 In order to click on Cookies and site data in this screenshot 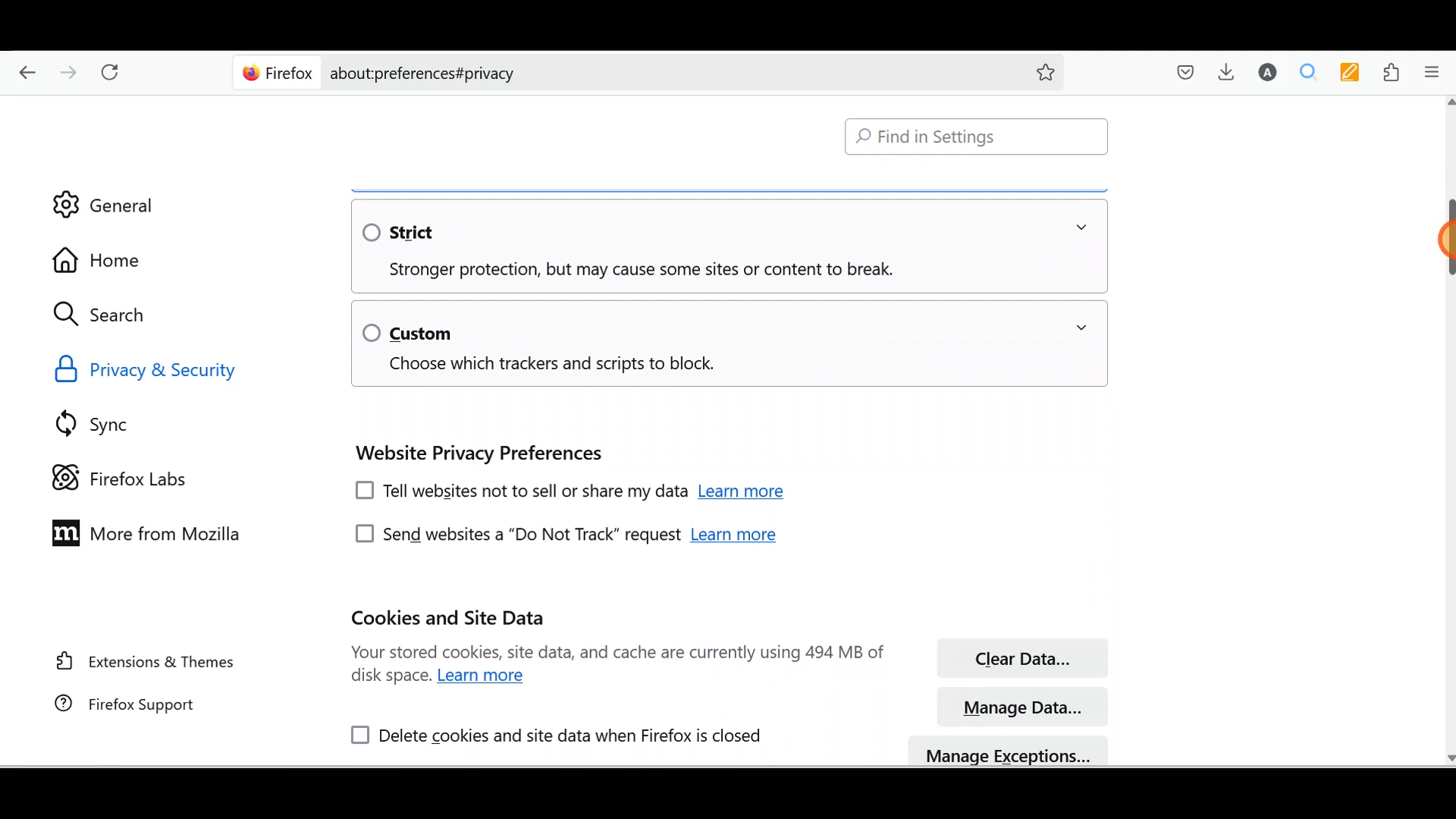, I will do `click(453, 618)`.